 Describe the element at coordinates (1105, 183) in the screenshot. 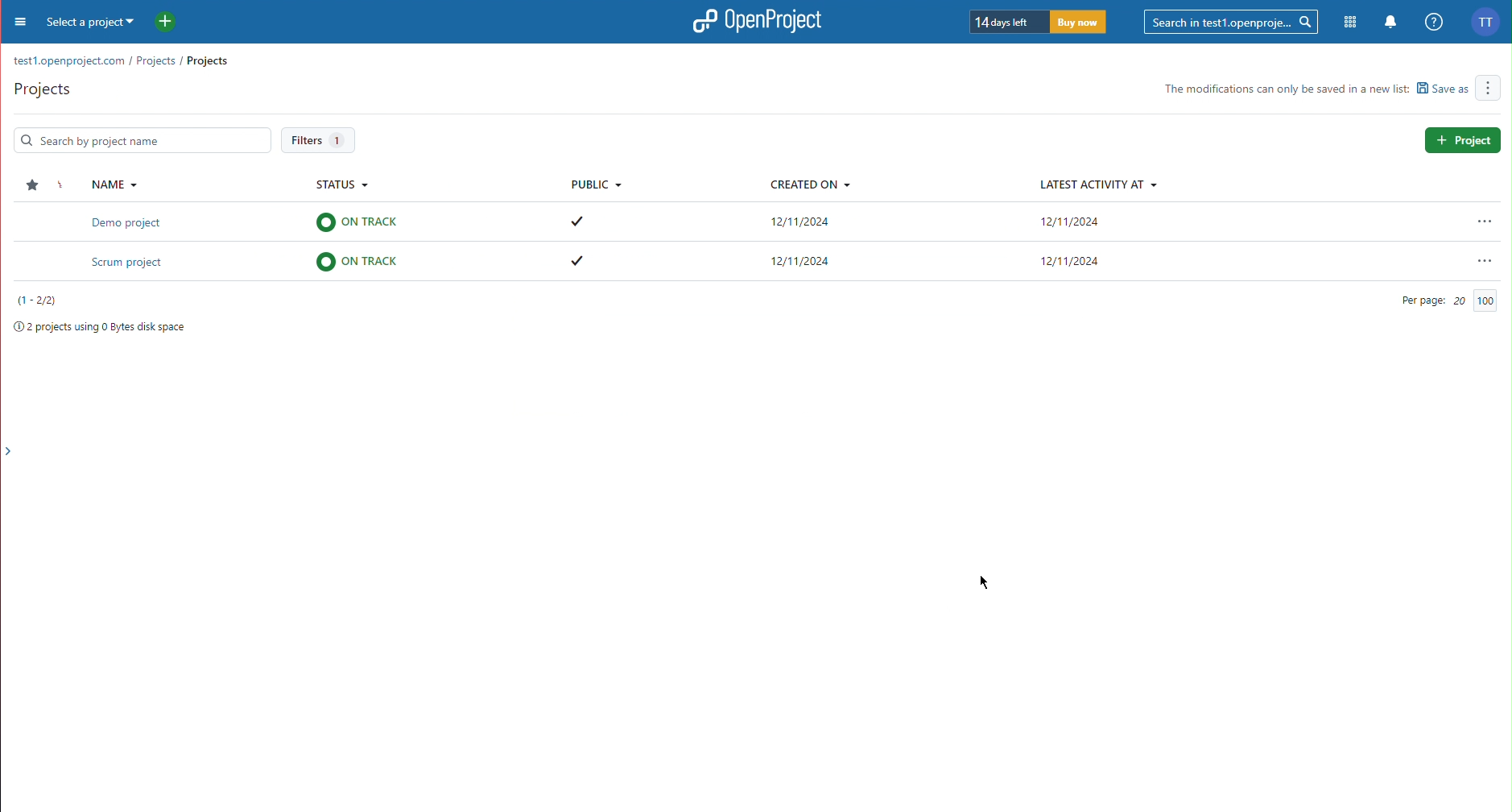

I see `Latest Activity At` at that location.